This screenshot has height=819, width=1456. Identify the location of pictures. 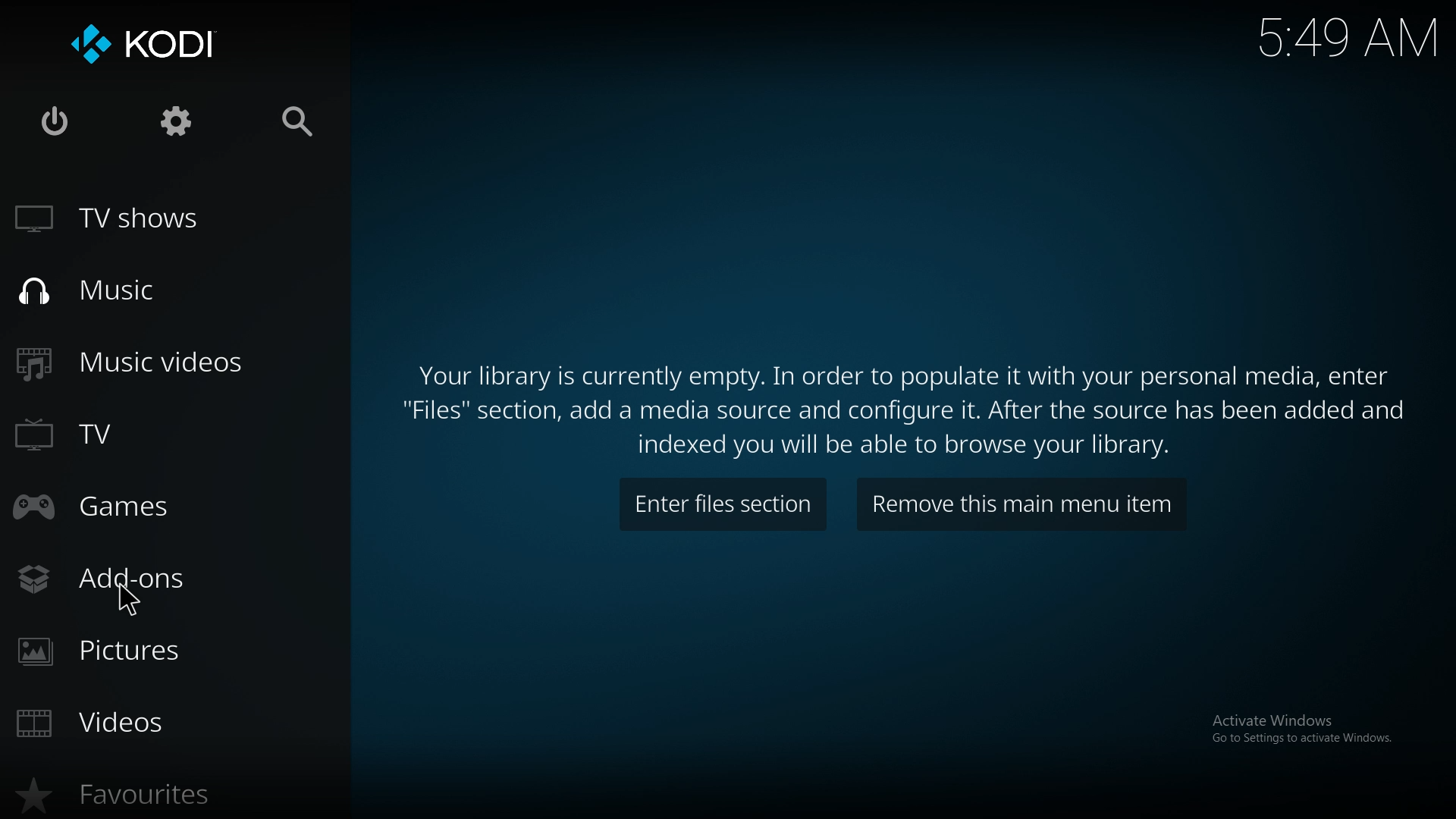
(111, 651).